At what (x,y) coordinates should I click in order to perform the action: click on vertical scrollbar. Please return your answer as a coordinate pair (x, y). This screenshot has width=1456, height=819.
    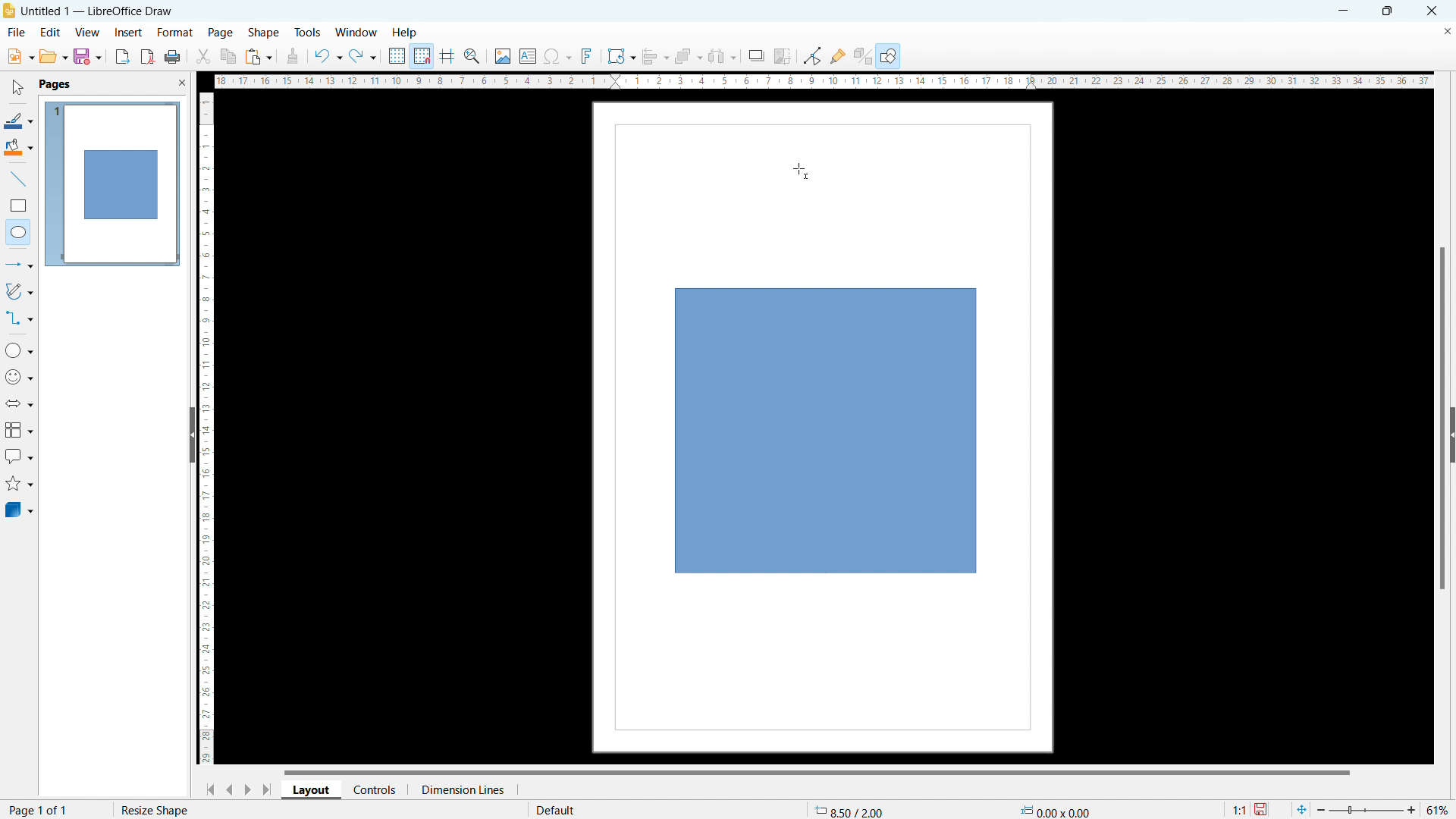
    Looking at the image, I should click on (1443, 420).